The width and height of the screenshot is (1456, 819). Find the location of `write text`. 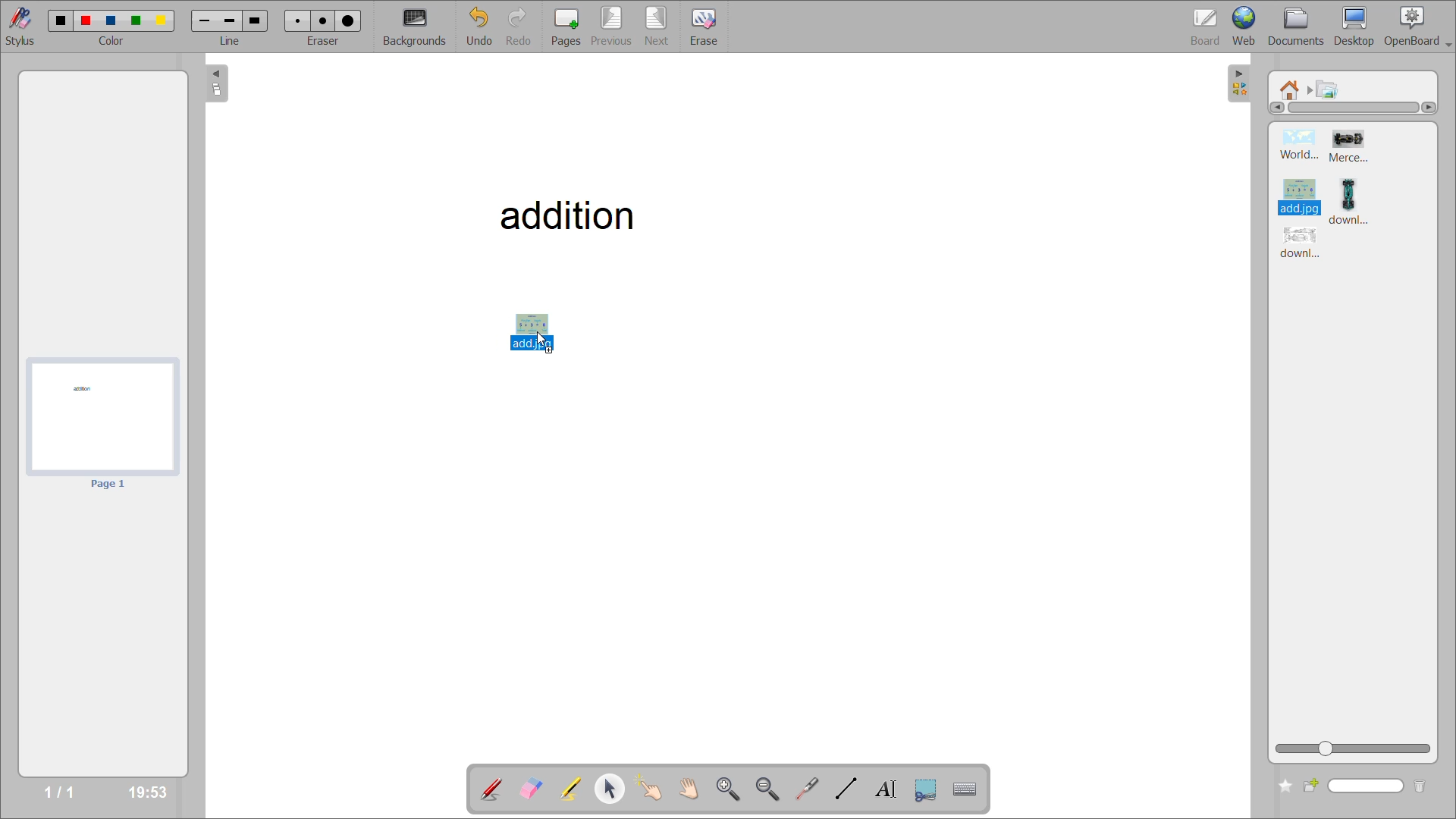

write text is located at coordinates (890, 789).